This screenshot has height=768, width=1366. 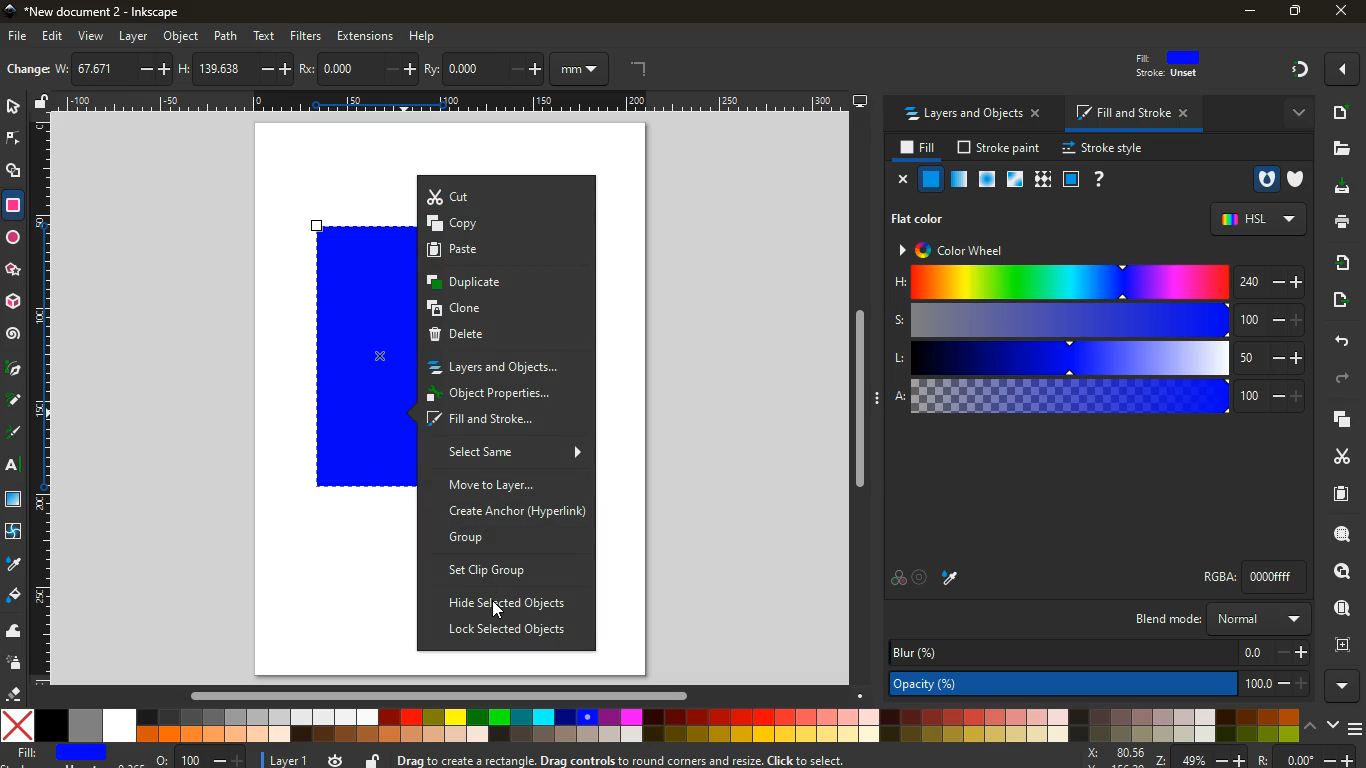 I want to click on file, so click(x=15, y=37).